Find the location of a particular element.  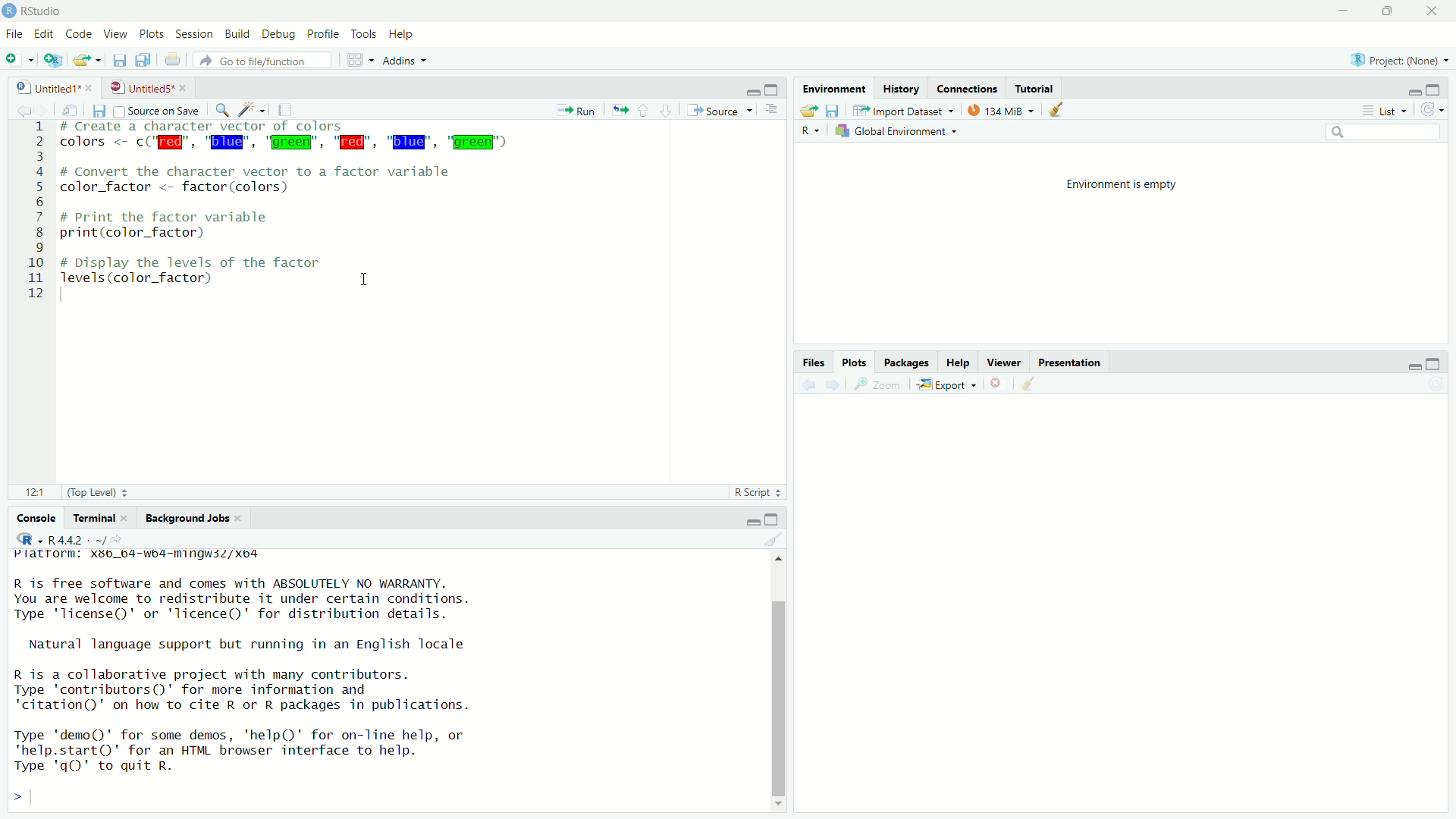

help is located at coordinates (404, 34).